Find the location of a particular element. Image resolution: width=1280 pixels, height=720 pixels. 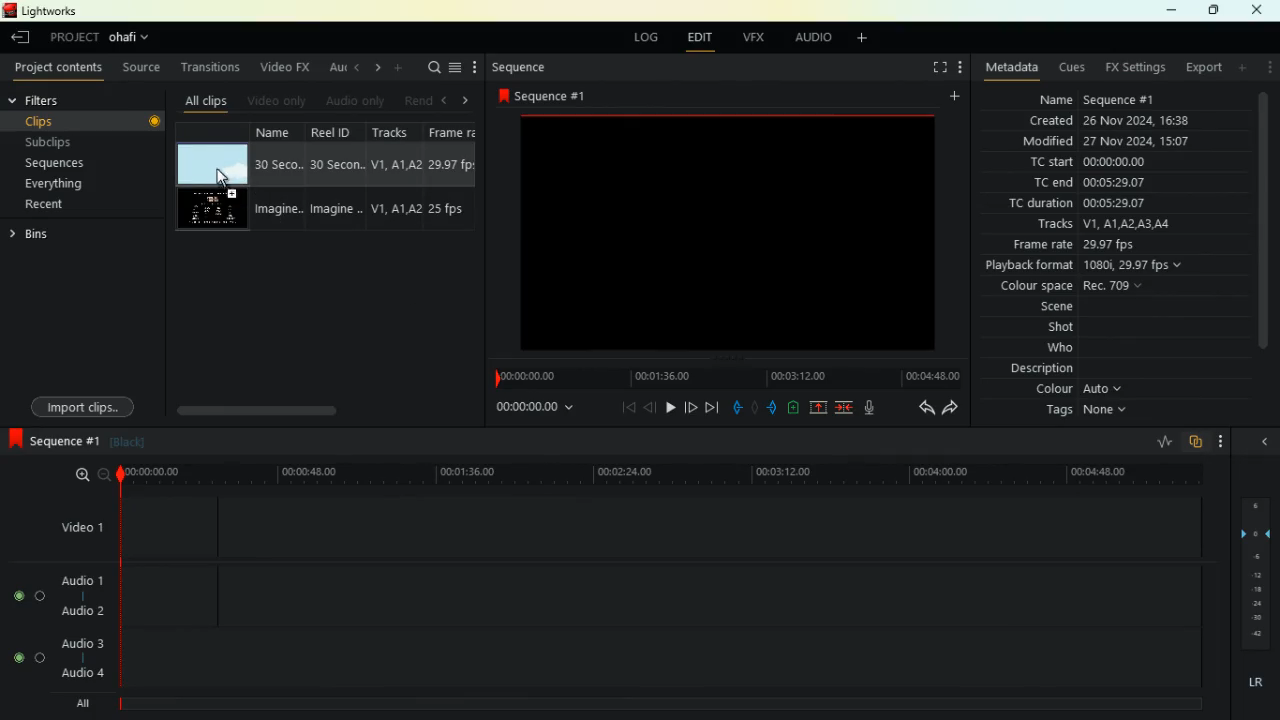

rend is located at coordinates (418, 102).